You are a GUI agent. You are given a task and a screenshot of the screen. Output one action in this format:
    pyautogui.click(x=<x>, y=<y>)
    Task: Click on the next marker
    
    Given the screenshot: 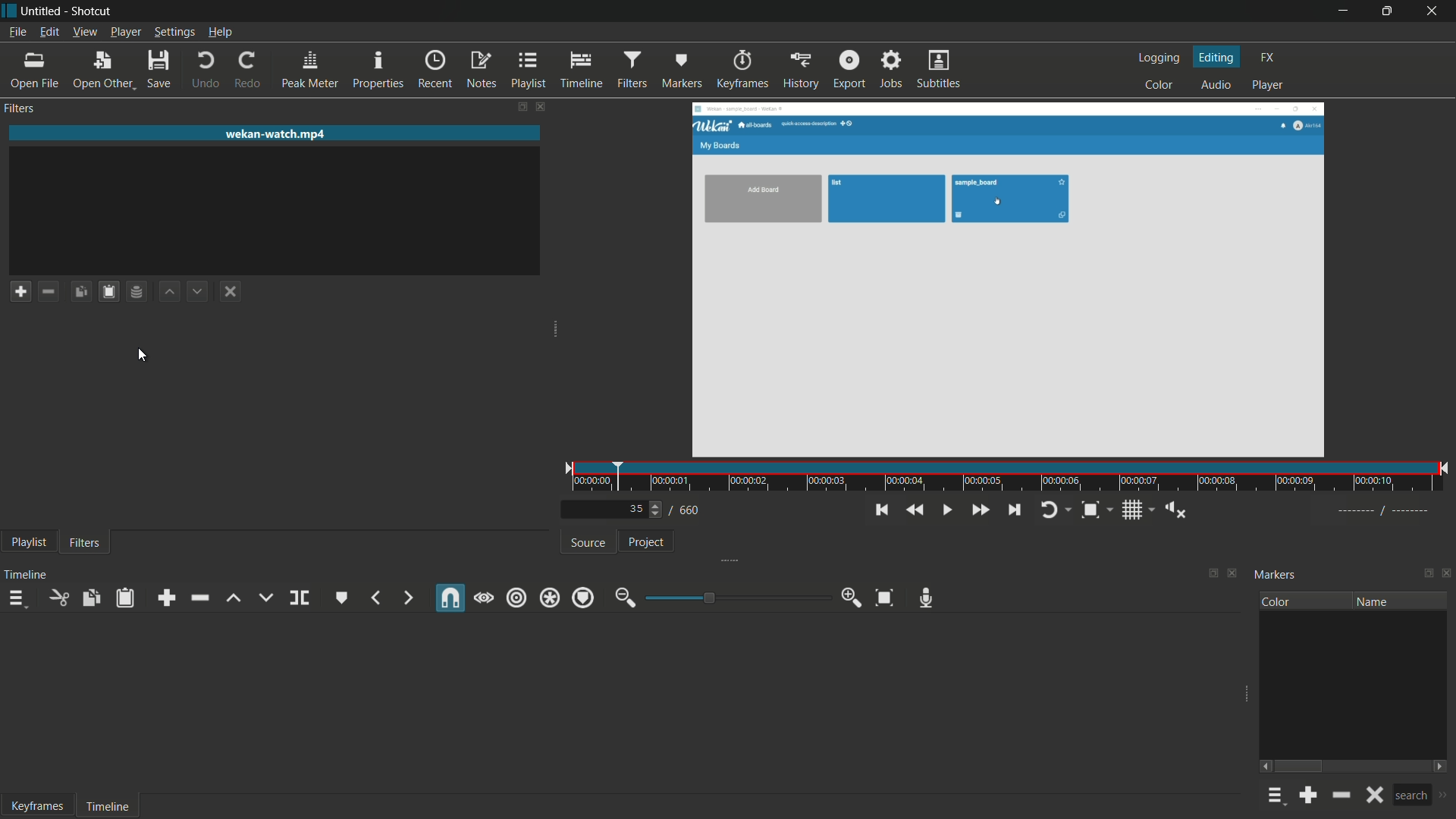 What is the action you would take?
    pyautogui.click(x=409, y=597)
    